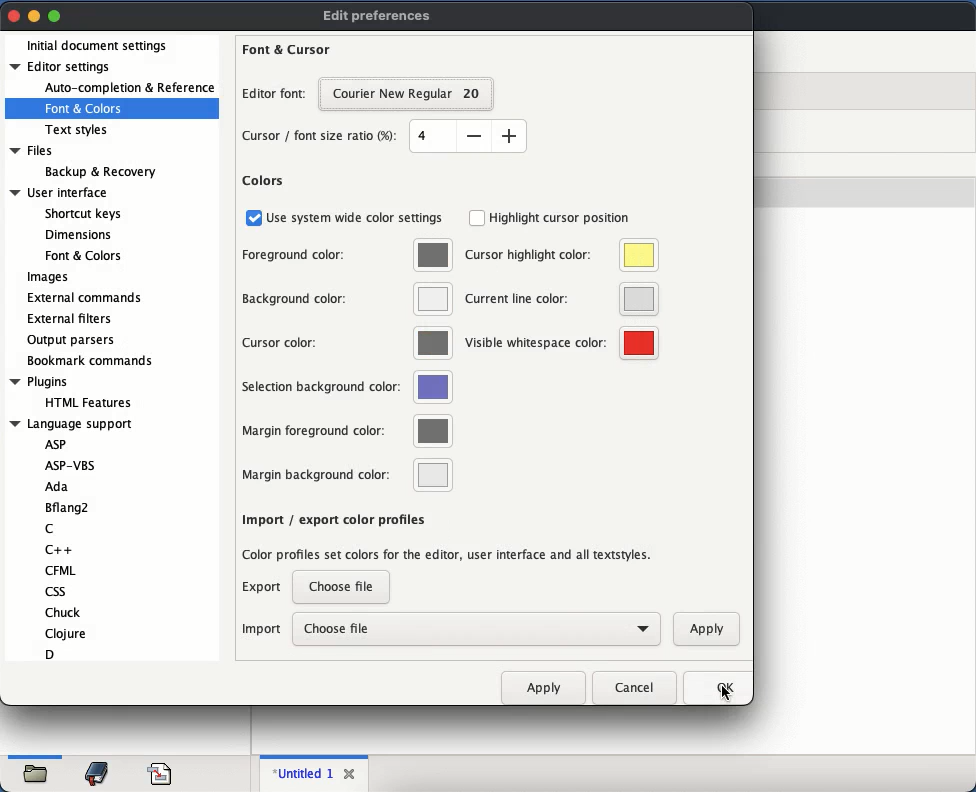 Image resolution: width=976 pixels, height=792 pixels. What do you see at coordinates (15, 17) in the screenshot?
I see `close` at bounding box center [15, 17].